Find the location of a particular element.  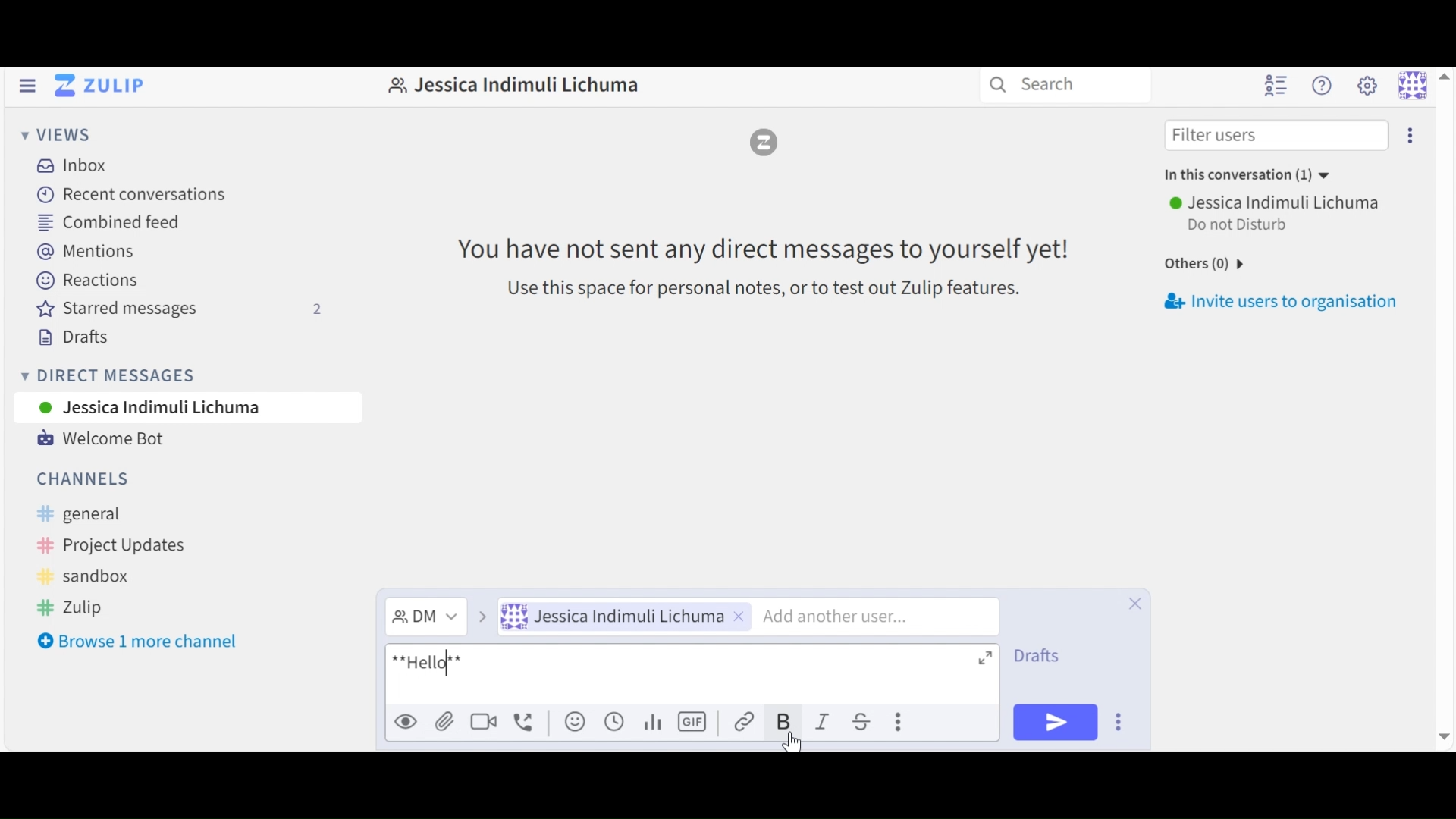

Drafts is located at coordinates (72, 338).